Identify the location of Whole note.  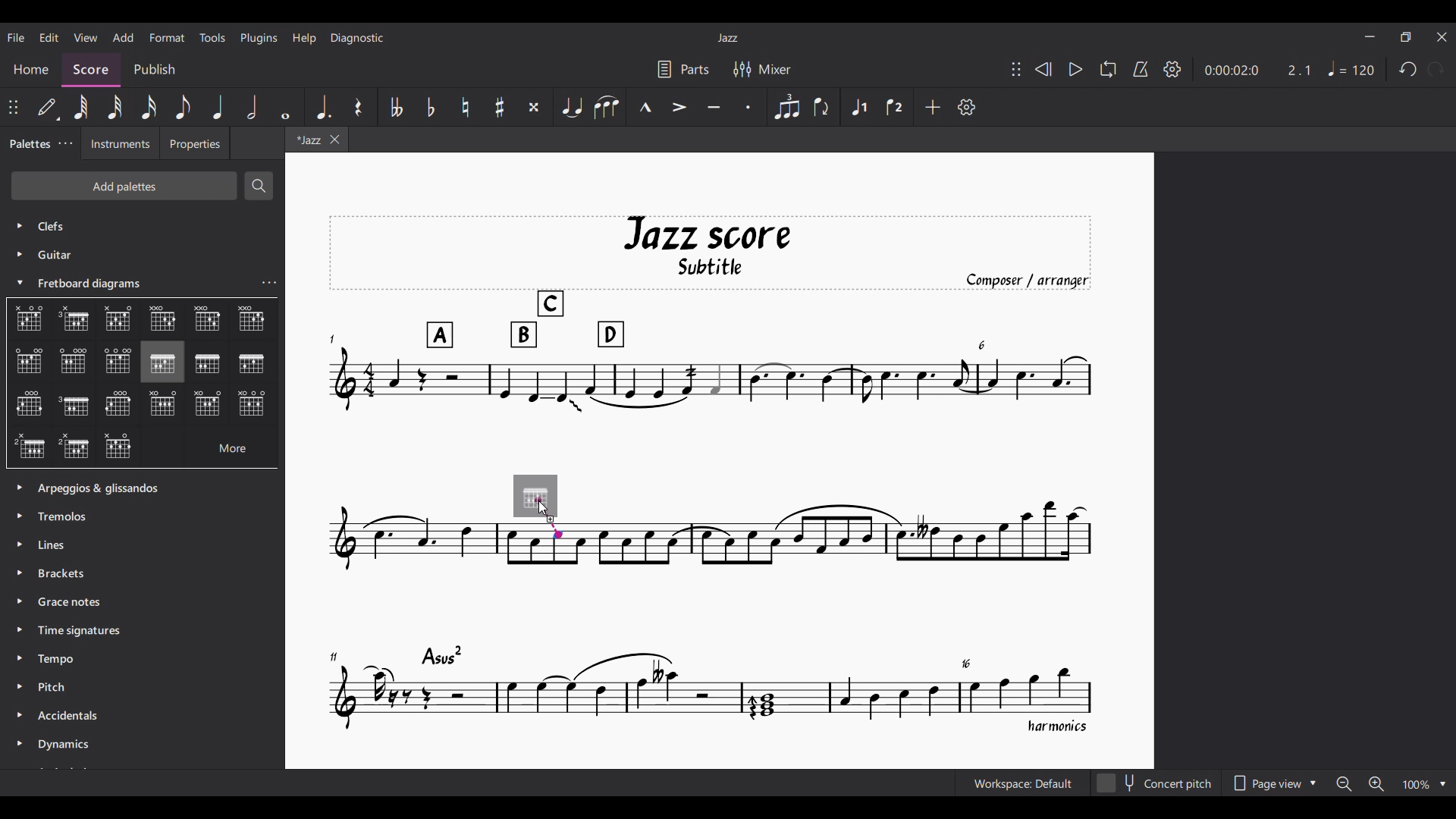
(288, 108).